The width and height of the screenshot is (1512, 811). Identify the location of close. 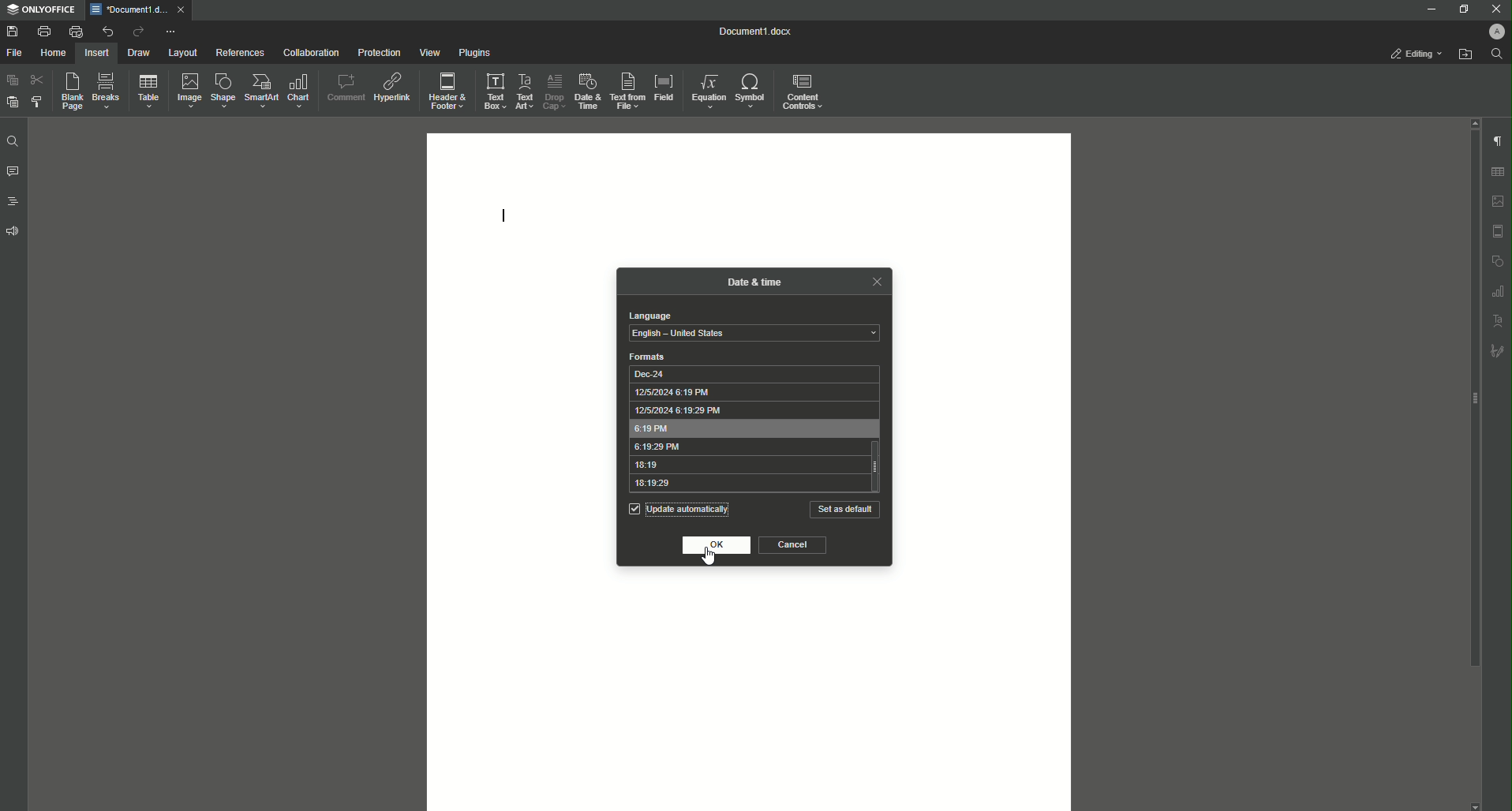
(181, 9).